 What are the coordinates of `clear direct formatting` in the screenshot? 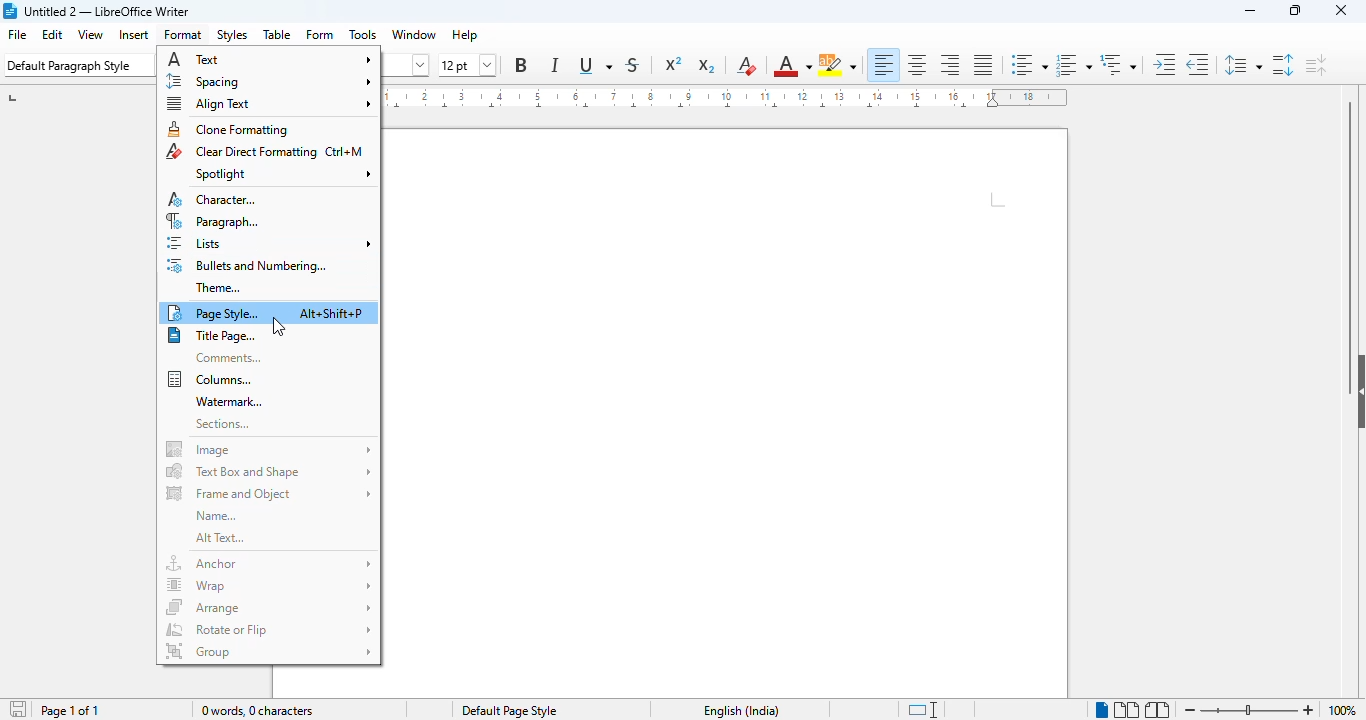 It's located at (265, 152).